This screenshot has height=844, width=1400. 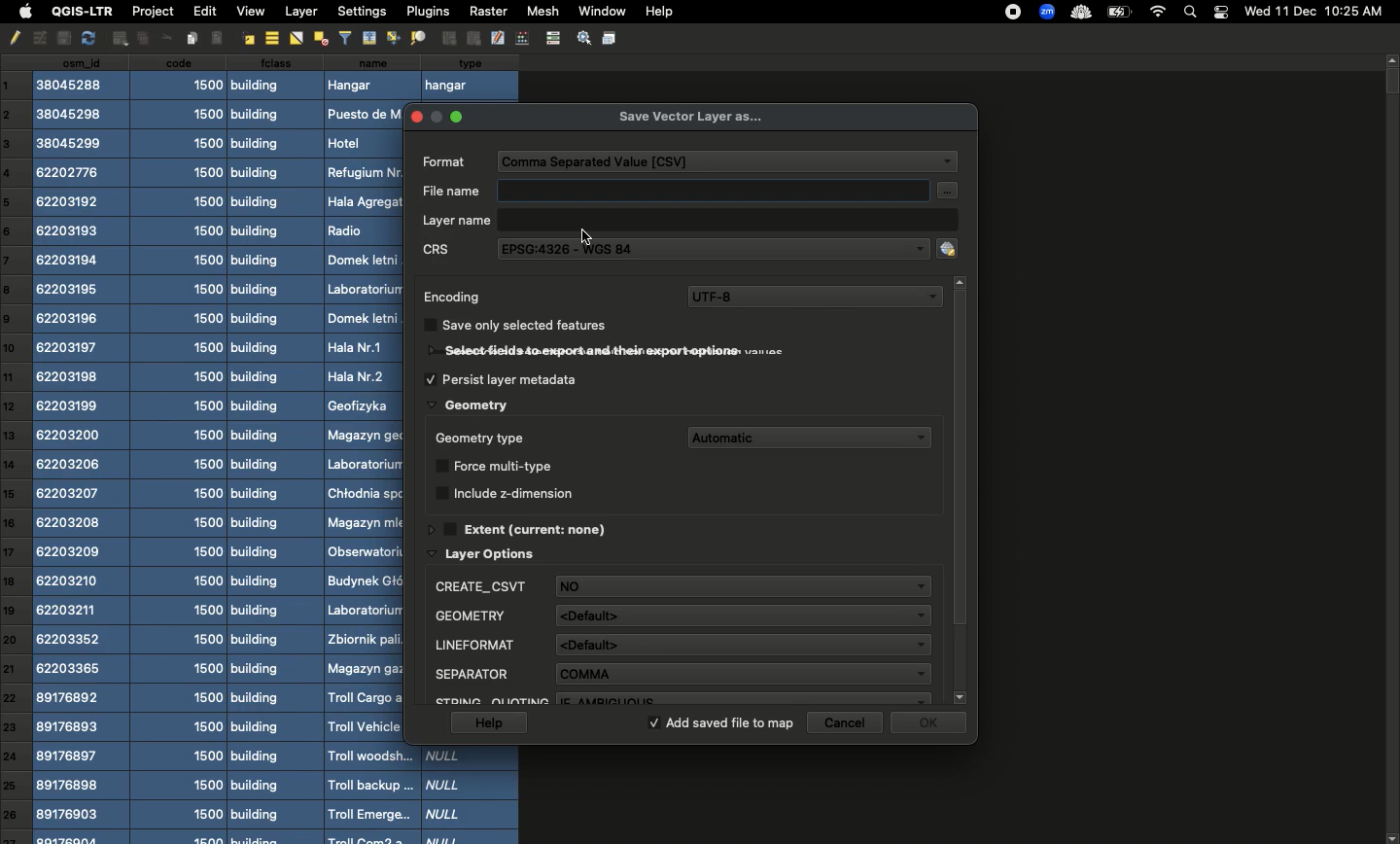 I want to click on Add saved file to map, so click(x=722, y=724).